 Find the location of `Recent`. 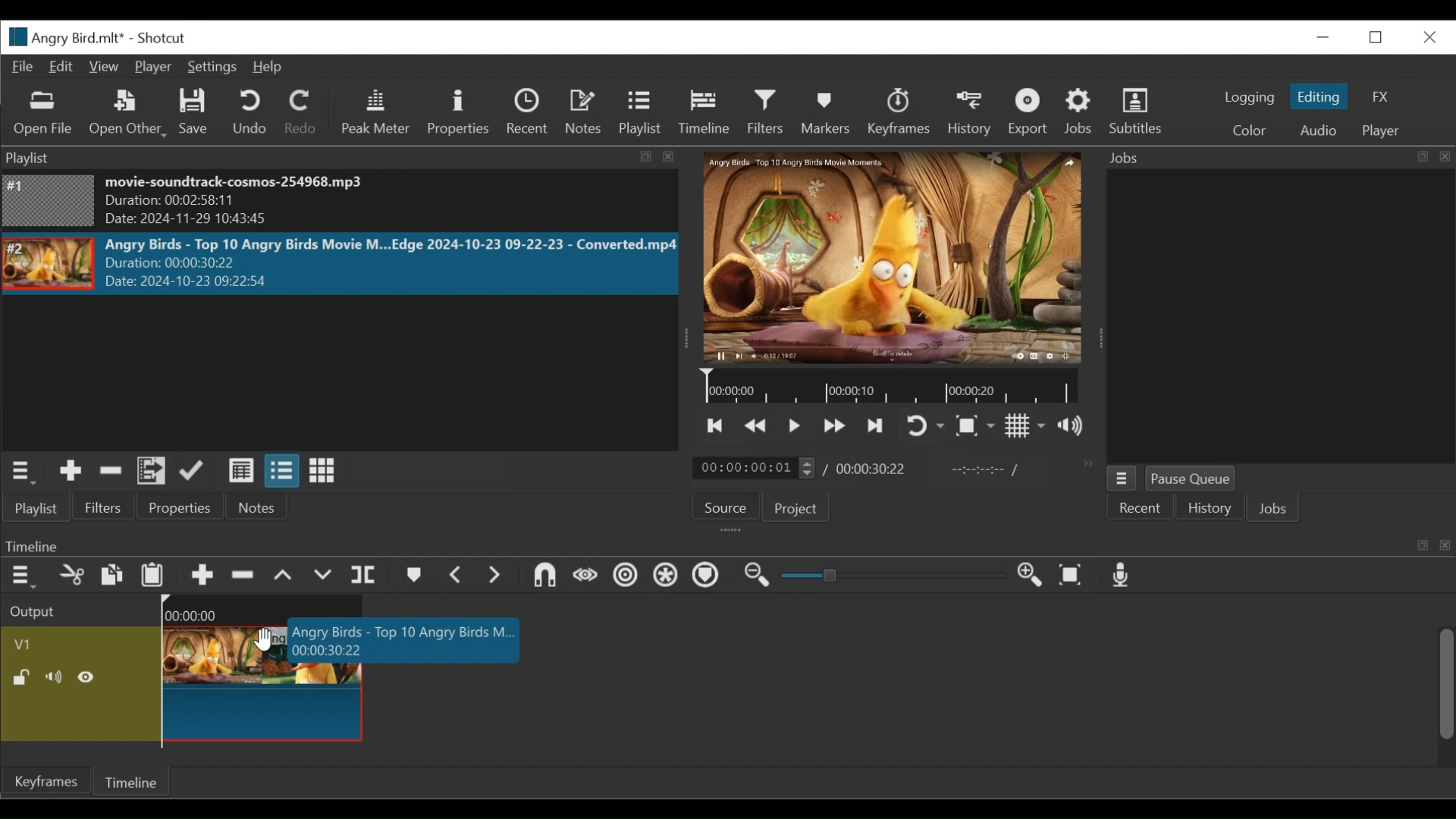

Recent is located at coordinates (527, 112).